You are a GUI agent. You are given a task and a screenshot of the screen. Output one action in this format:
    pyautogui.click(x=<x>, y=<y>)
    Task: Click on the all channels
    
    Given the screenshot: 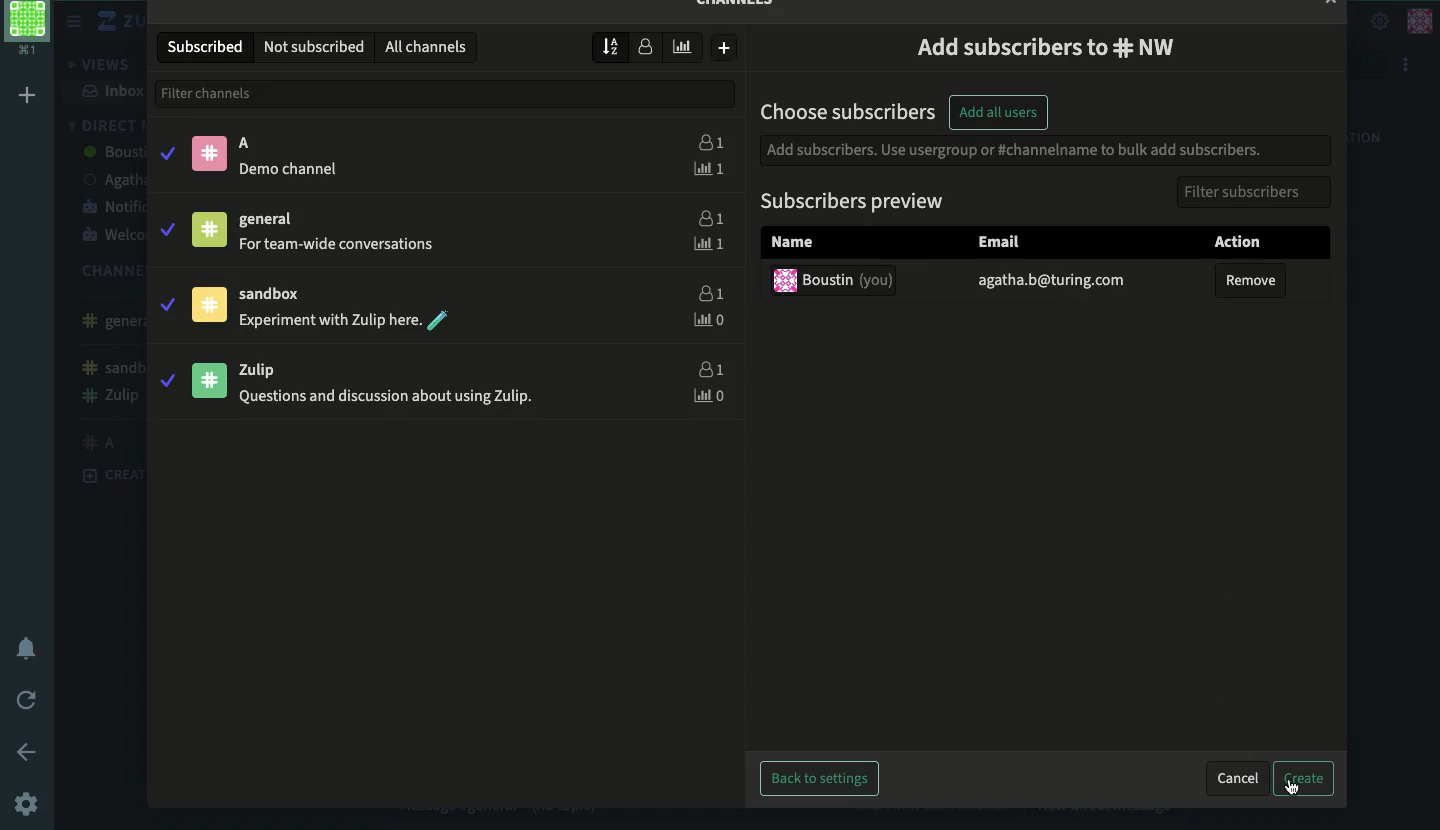 What is the action you would take?
    pyautogui.click(x=430, y=46)
    